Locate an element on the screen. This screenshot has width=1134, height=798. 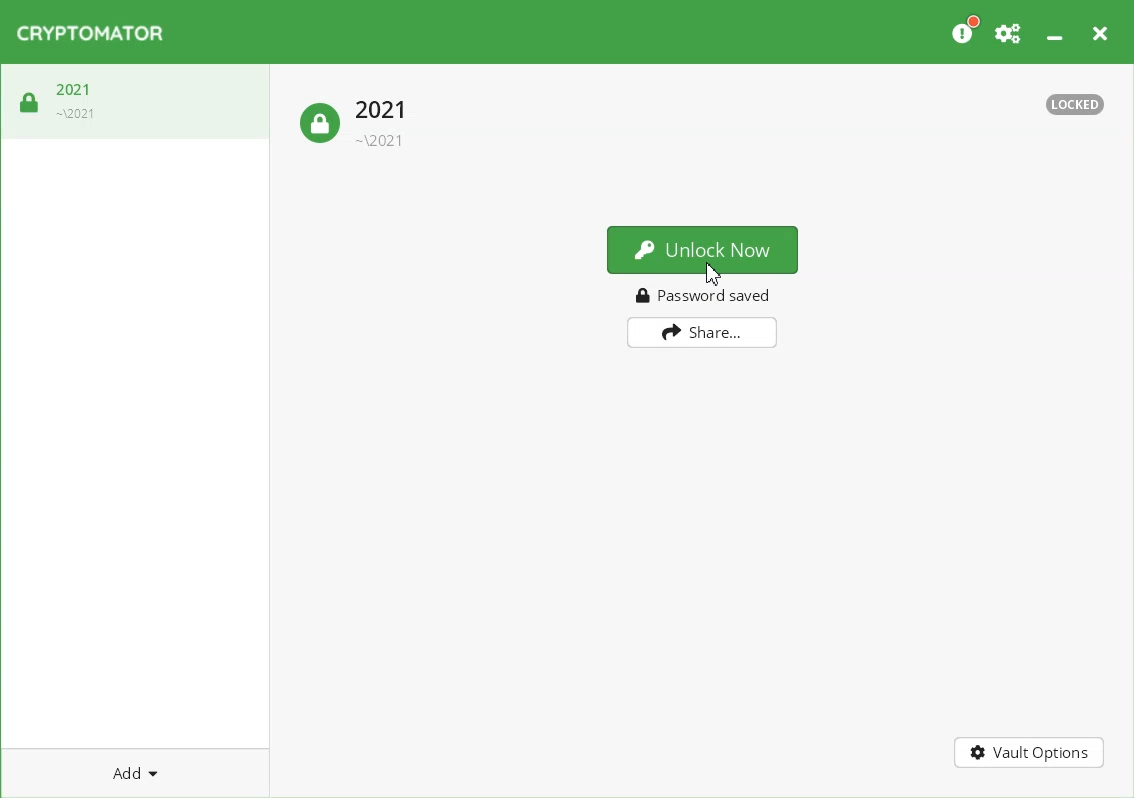
Vault Options is located at coordinates (1030, 751).